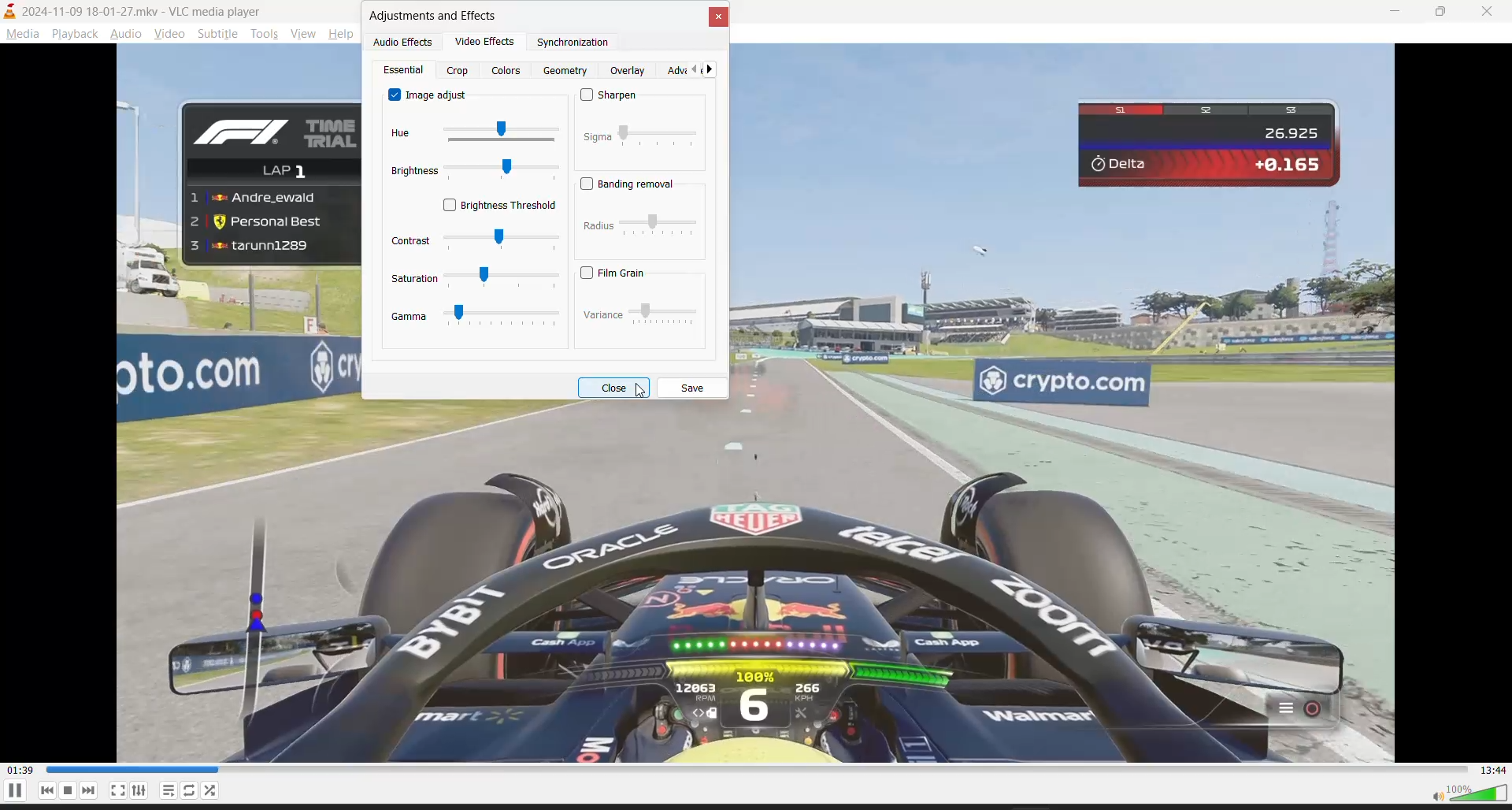  I want to click on help, so click(344, 33).